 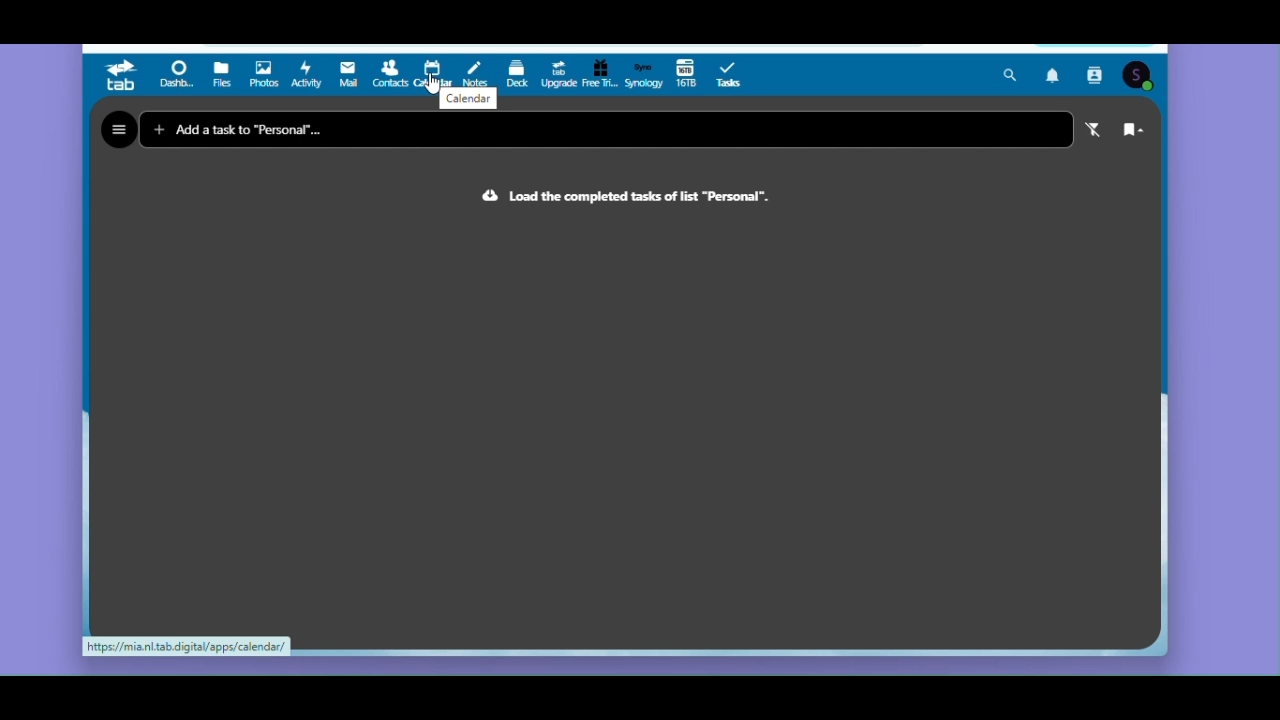 I want to click on Account icon, so click(x=1138, y=76).